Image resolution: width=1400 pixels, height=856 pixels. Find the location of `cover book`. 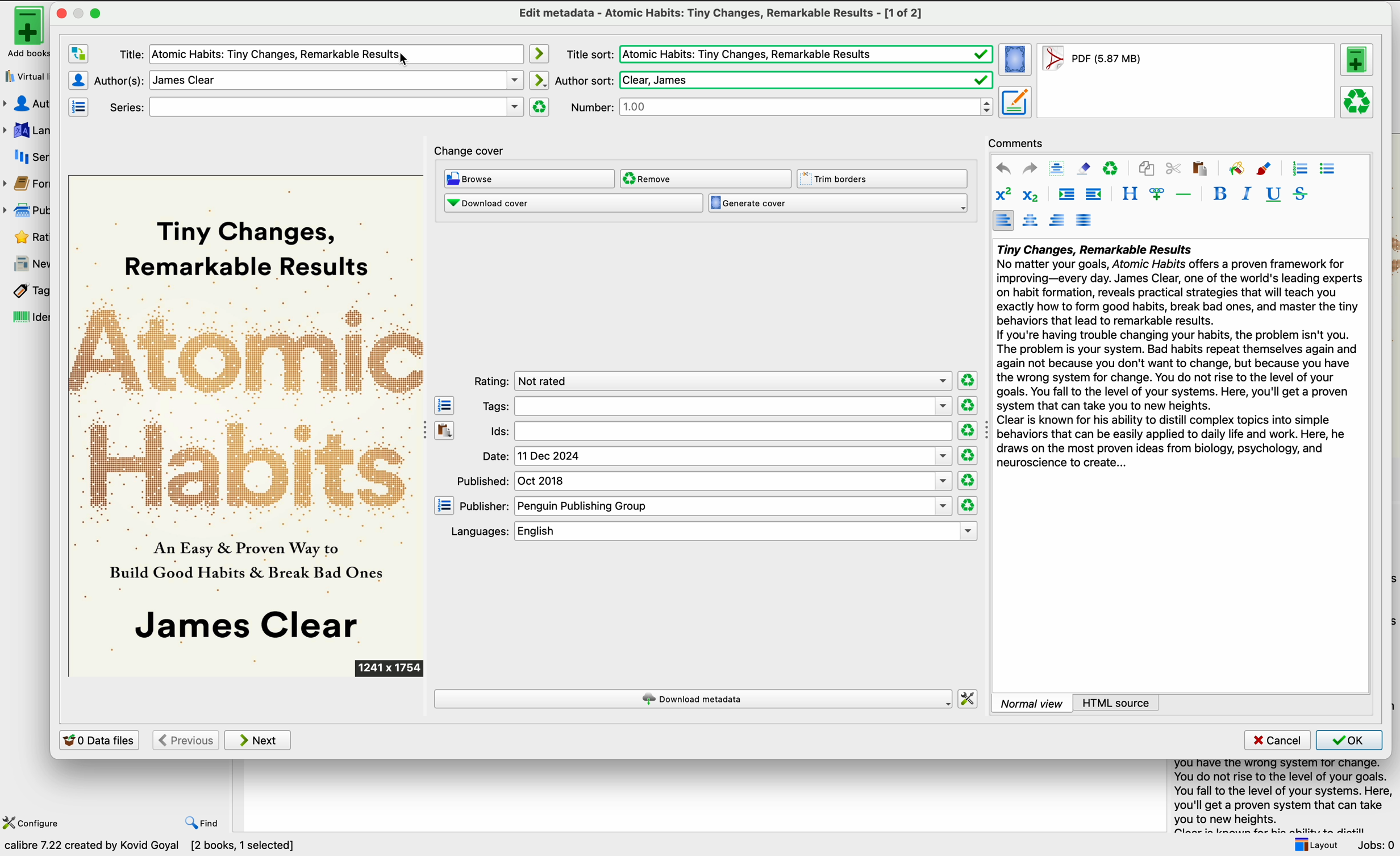

cover book is located at coordinates (248, 426).